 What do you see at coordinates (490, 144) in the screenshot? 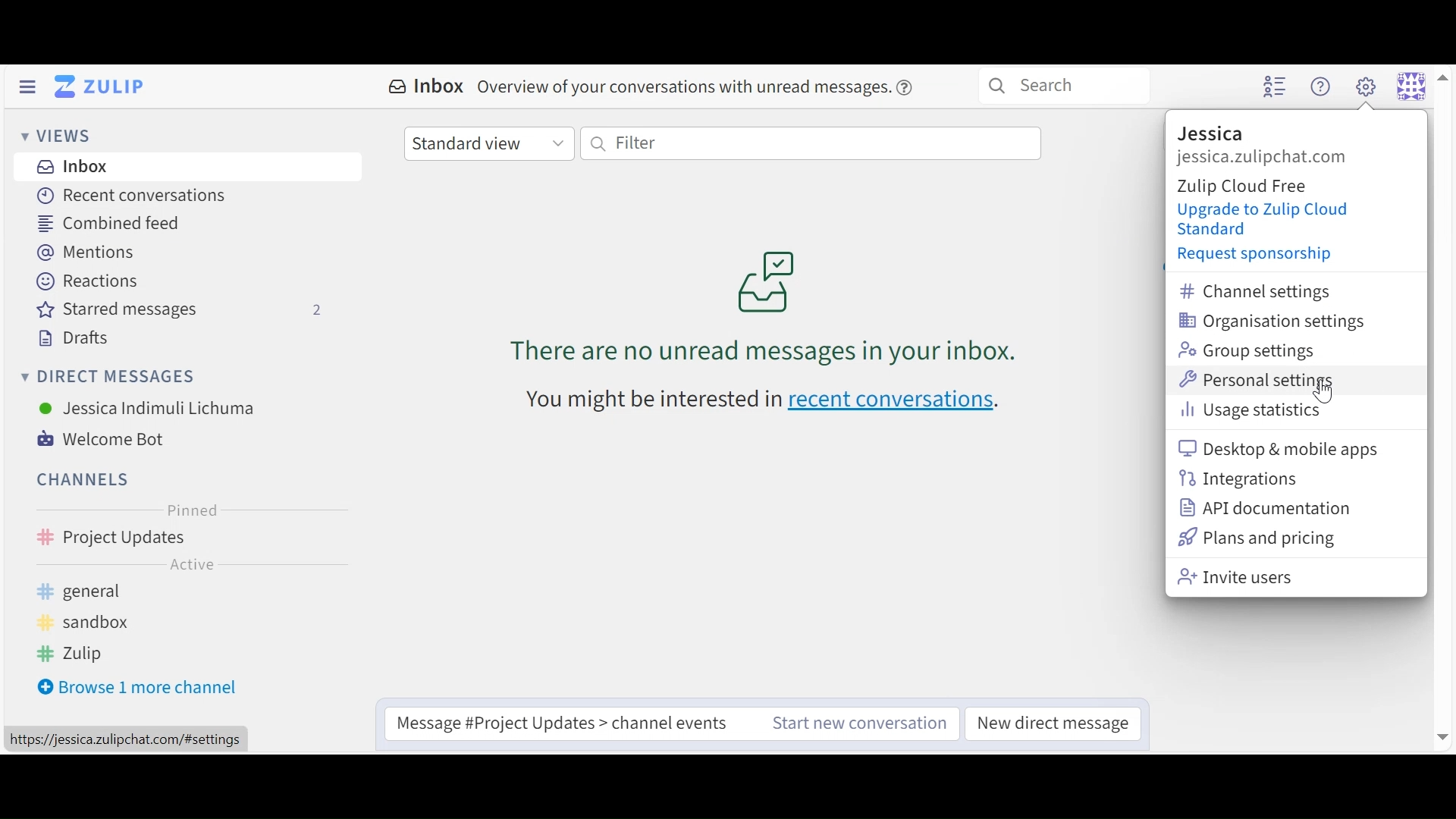
I see `Standard view` at bounding box center [490, 144].